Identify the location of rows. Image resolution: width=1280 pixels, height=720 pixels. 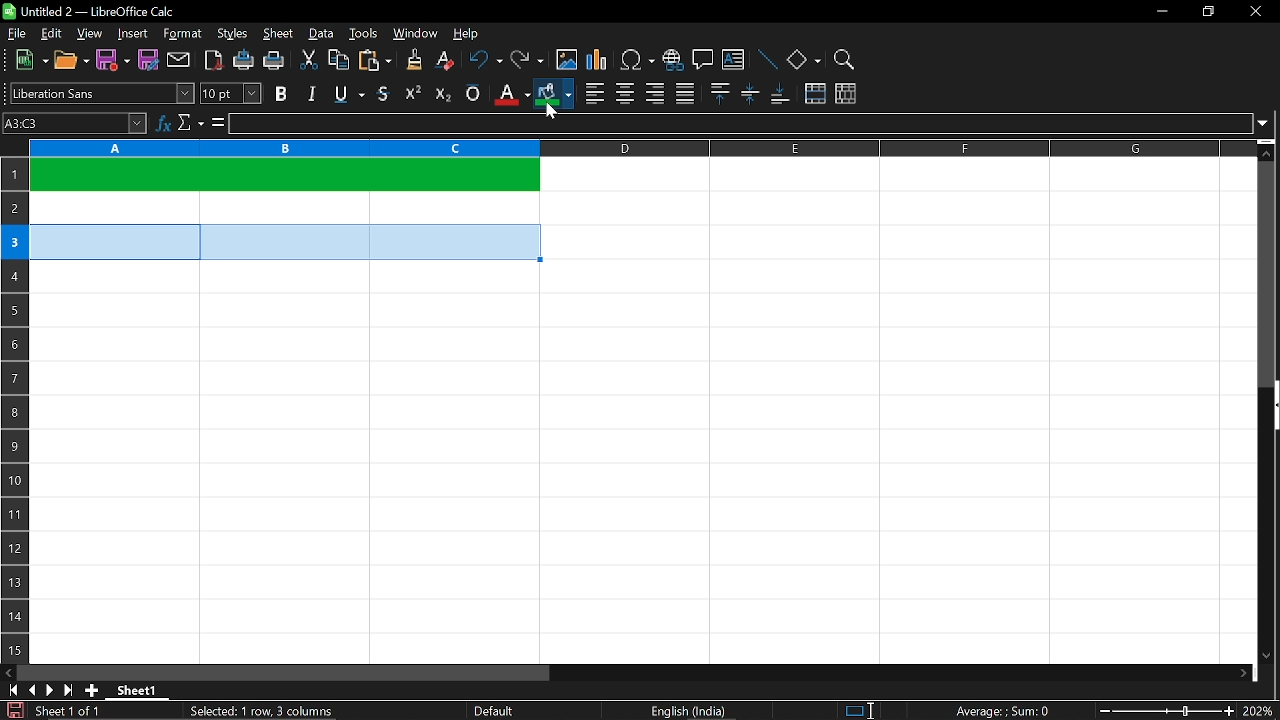
(12, 387).